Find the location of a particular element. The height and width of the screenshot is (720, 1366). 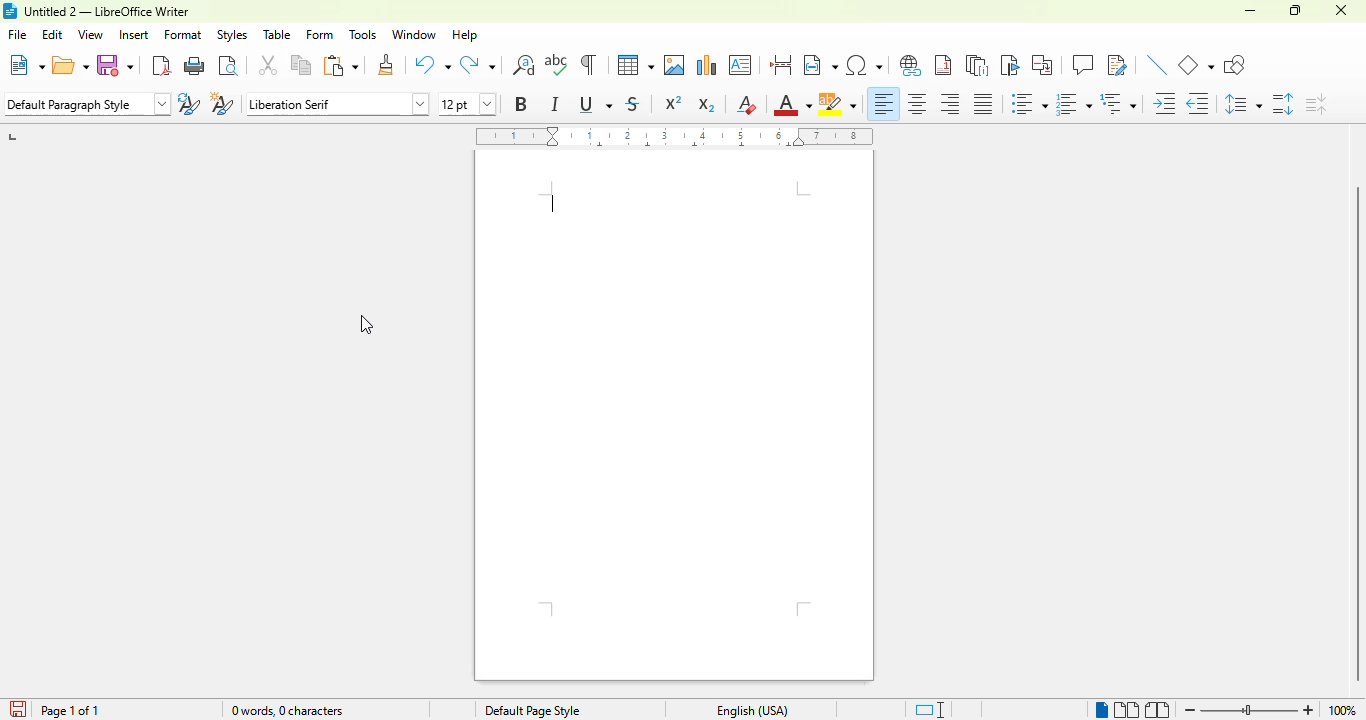

standard selection is located at coordinates (930, 710).